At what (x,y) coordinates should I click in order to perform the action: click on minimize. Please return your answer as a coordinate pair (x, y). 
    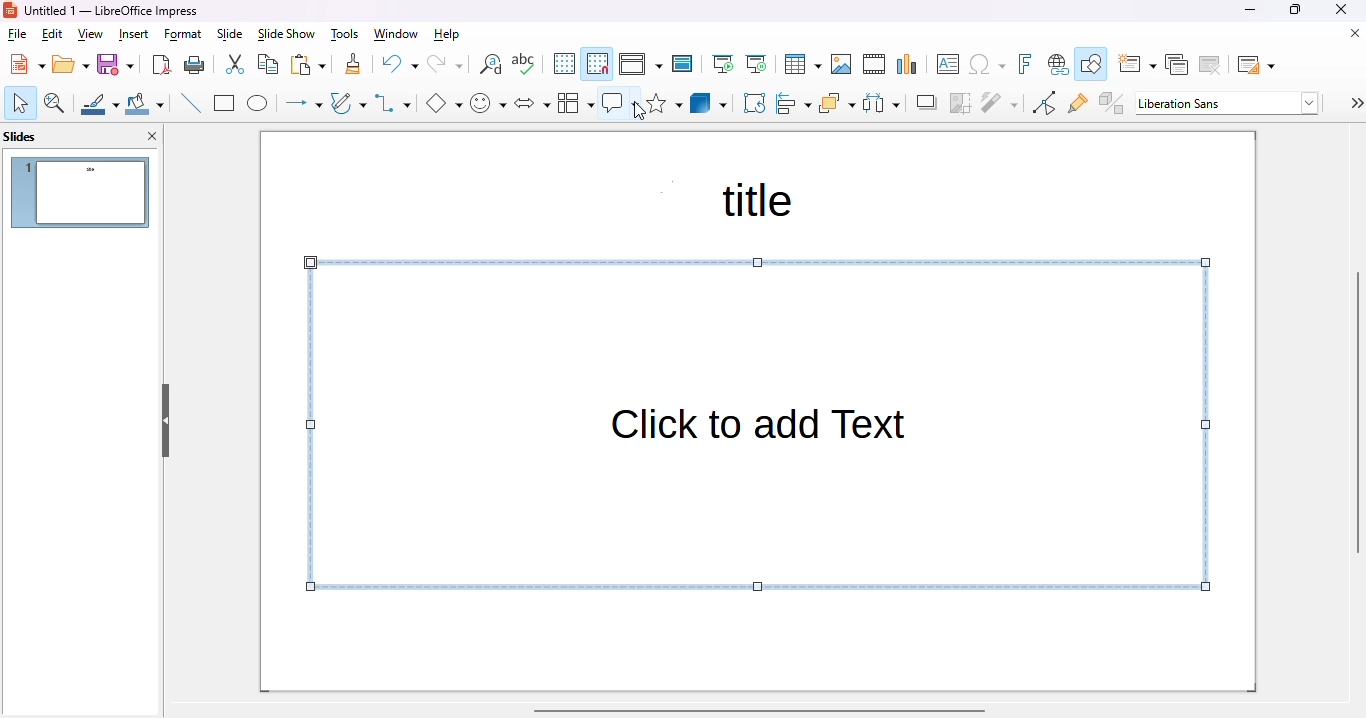
    Looking at the image, I should click on (1252, 10).